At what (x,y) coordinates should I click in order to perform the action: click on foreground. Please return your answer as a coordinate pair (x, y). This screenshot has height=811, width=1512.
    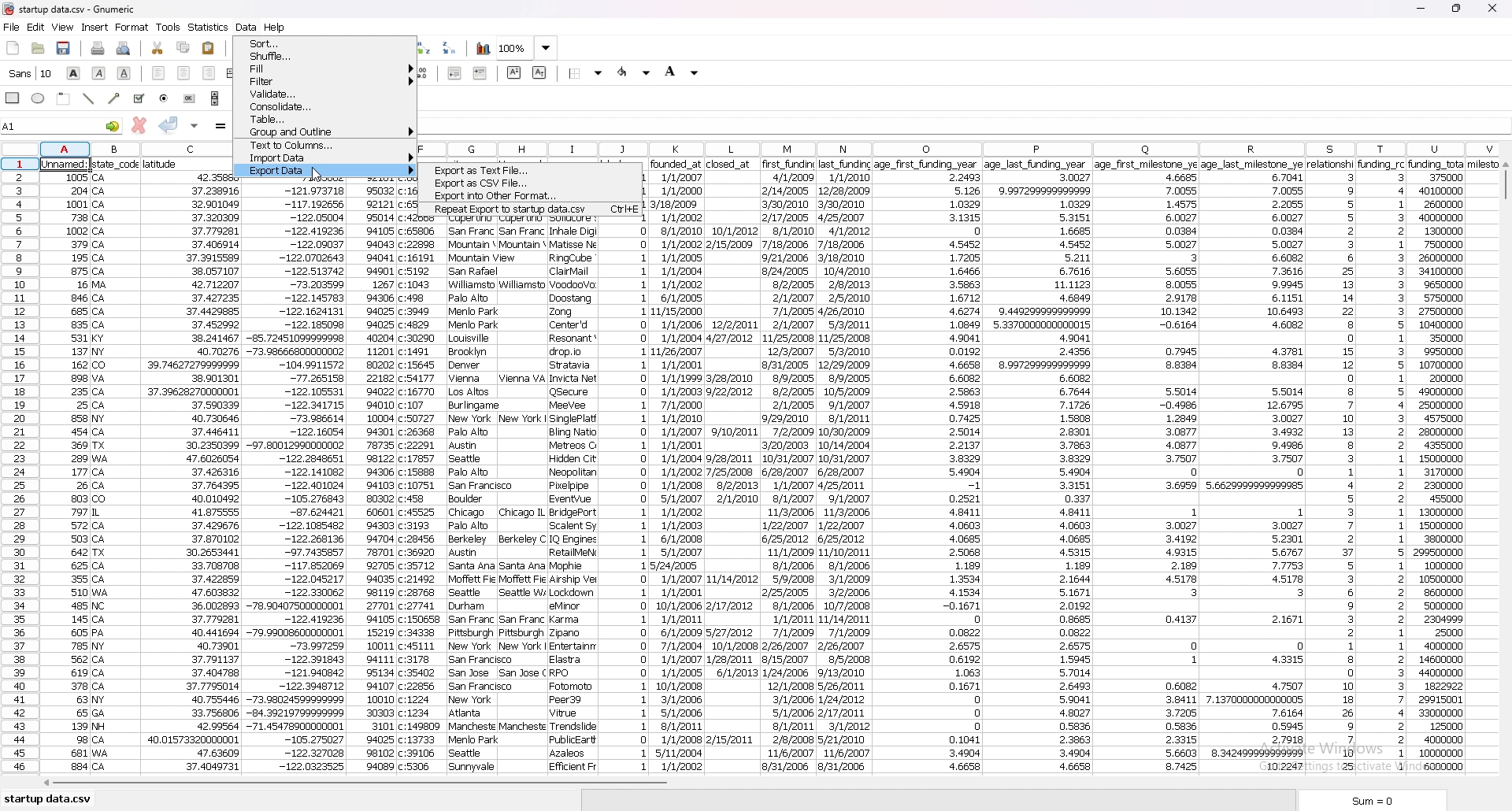
    Looking at the image, I should click on (635, 72).